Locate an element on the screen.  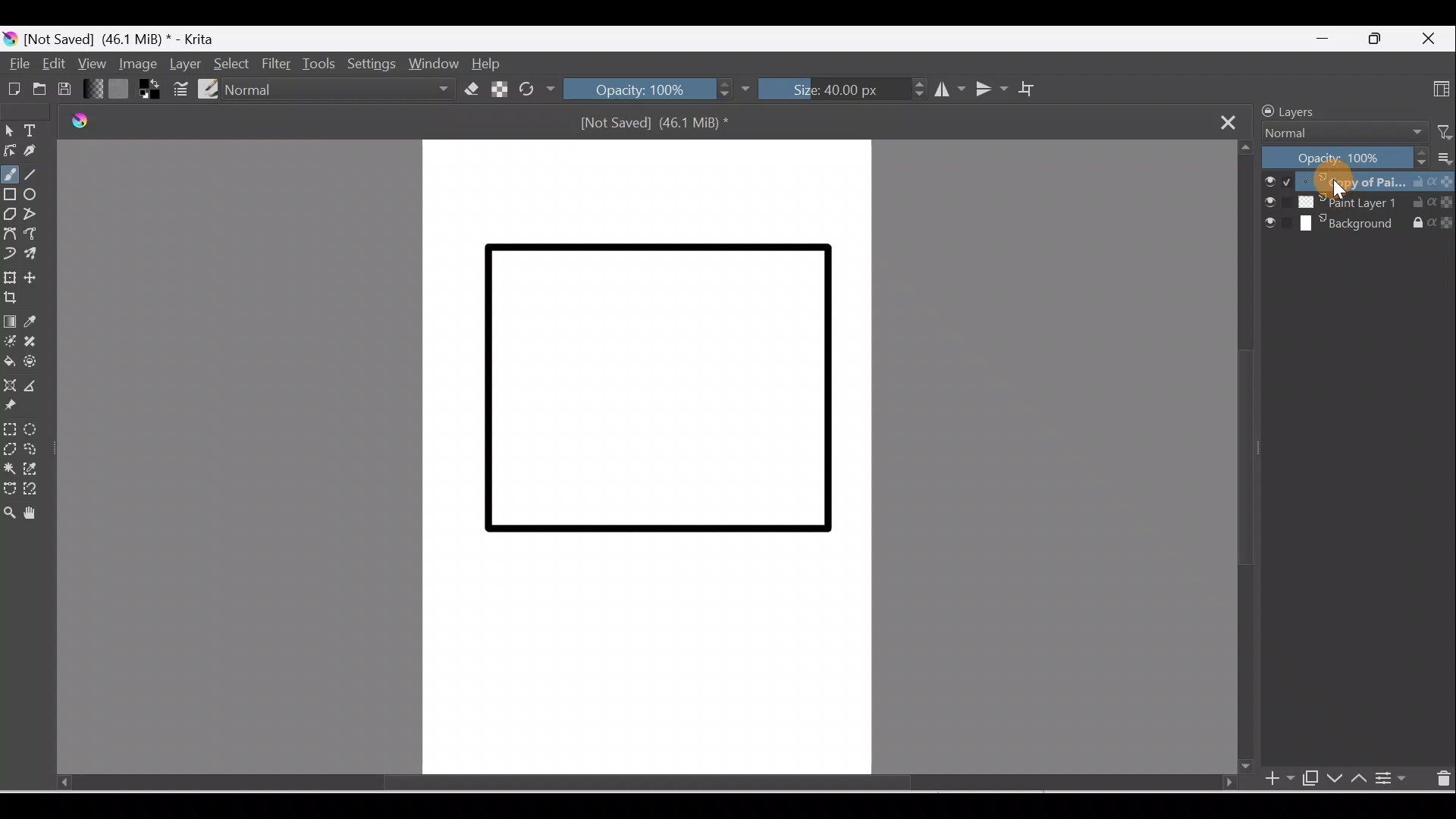
Calligraphy is located at coordinates (33, 153).